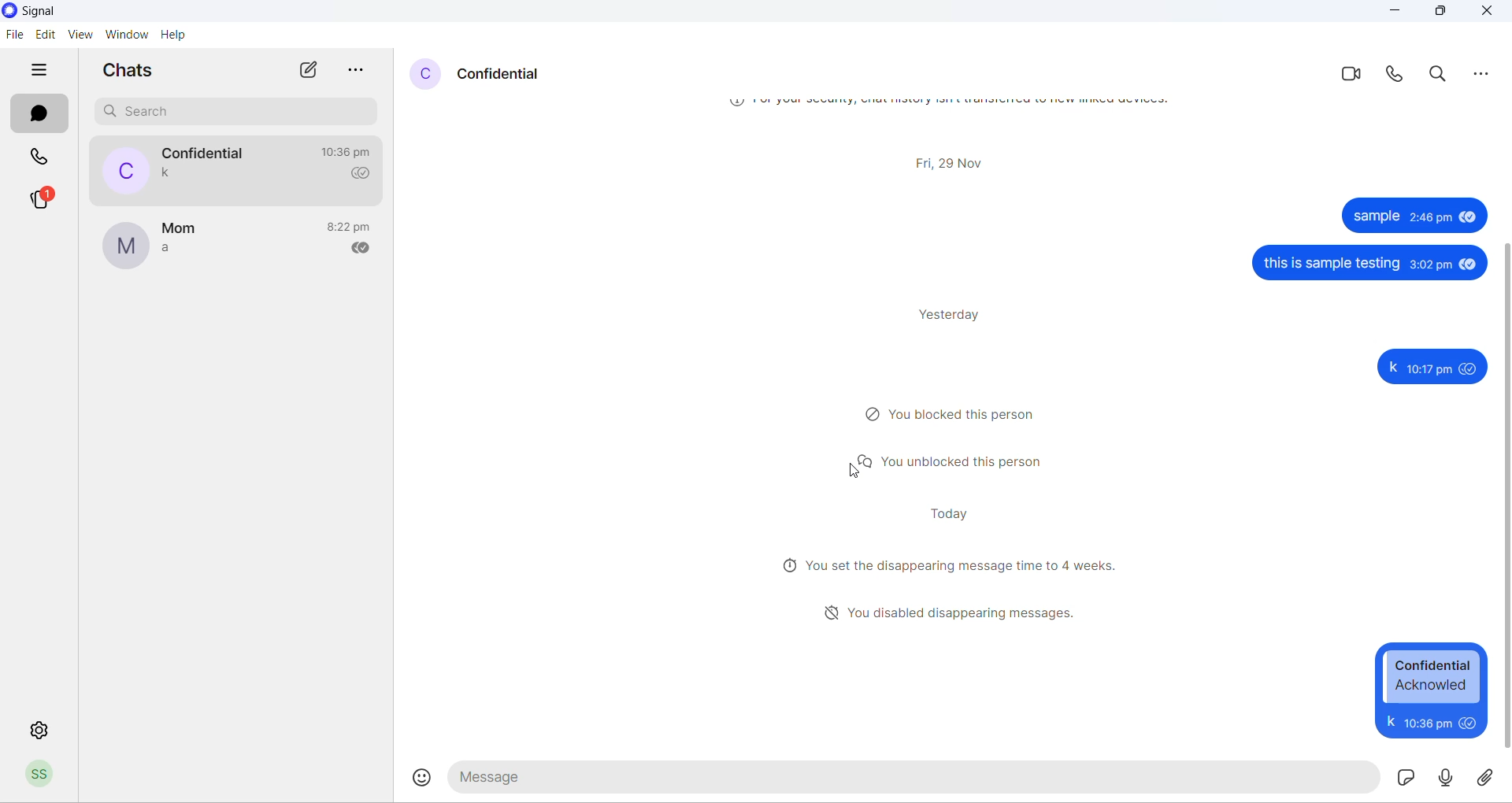 The width and height of the screenshot is (1512, 803). I want to click on edit, so click(46, 35).